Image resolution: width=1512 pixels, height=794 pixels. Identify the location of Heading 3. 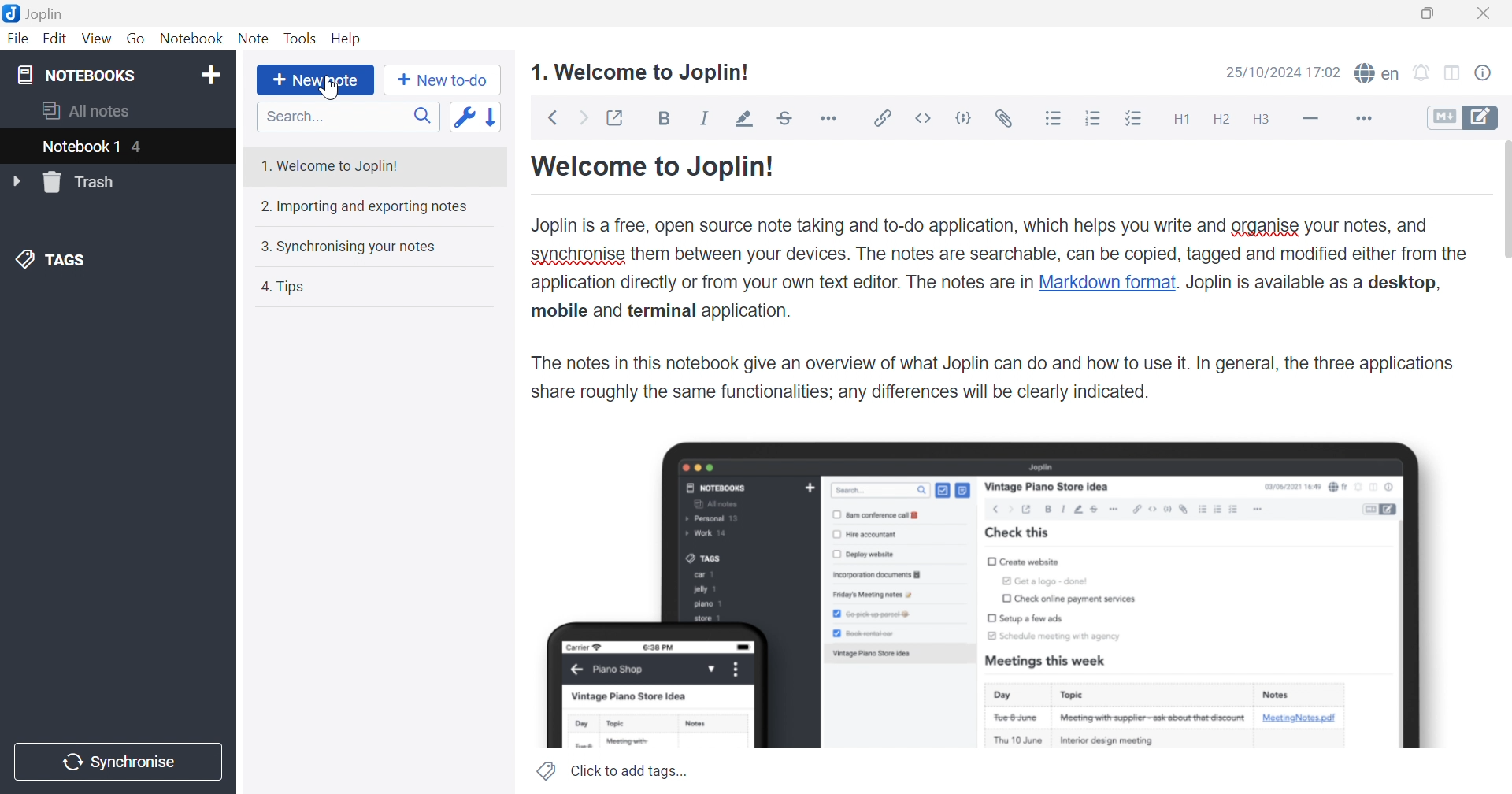
(1269, 121).